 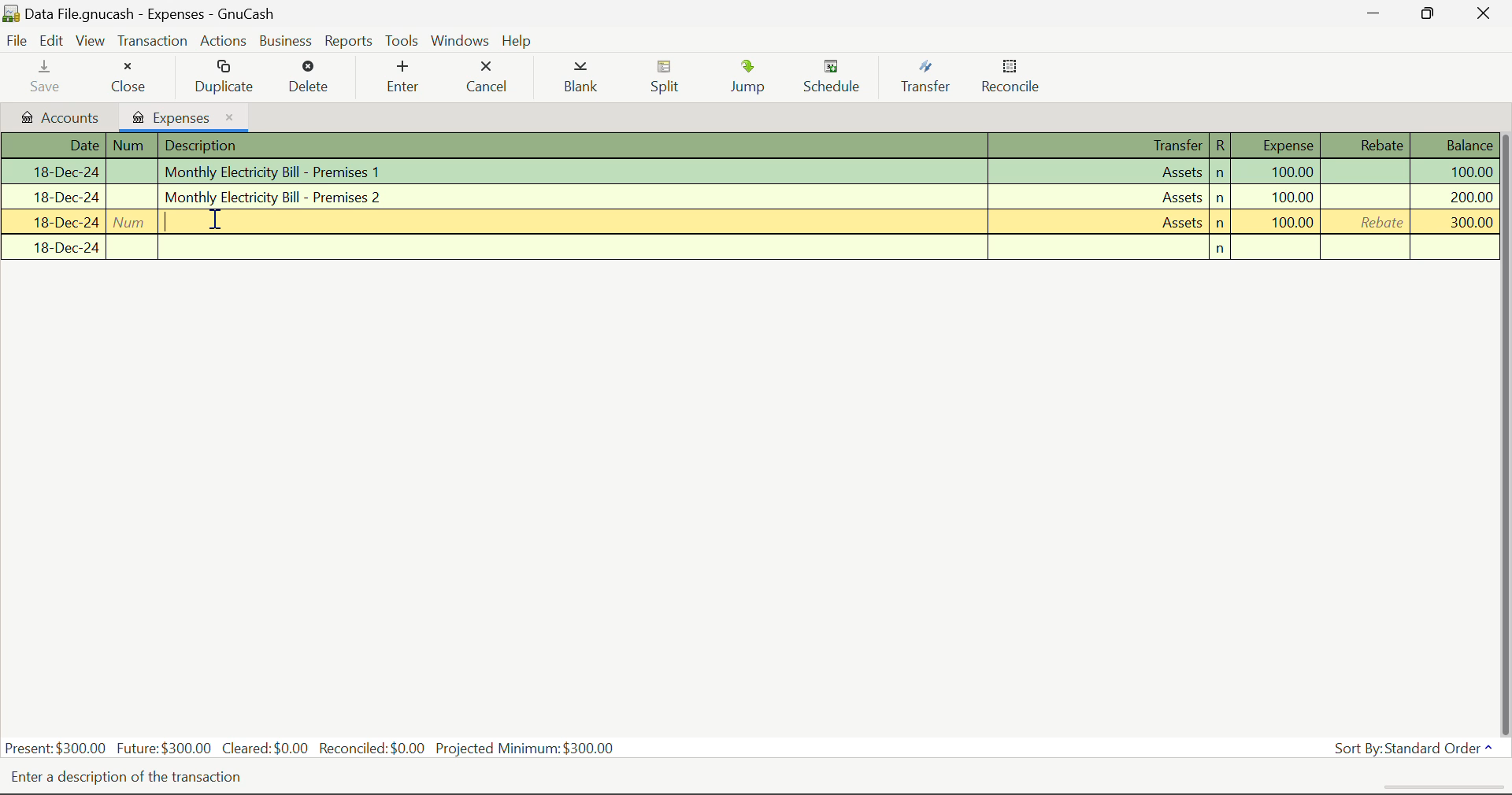 I want to click on Sort By: Standard Order, so click(x=1414, y=749).